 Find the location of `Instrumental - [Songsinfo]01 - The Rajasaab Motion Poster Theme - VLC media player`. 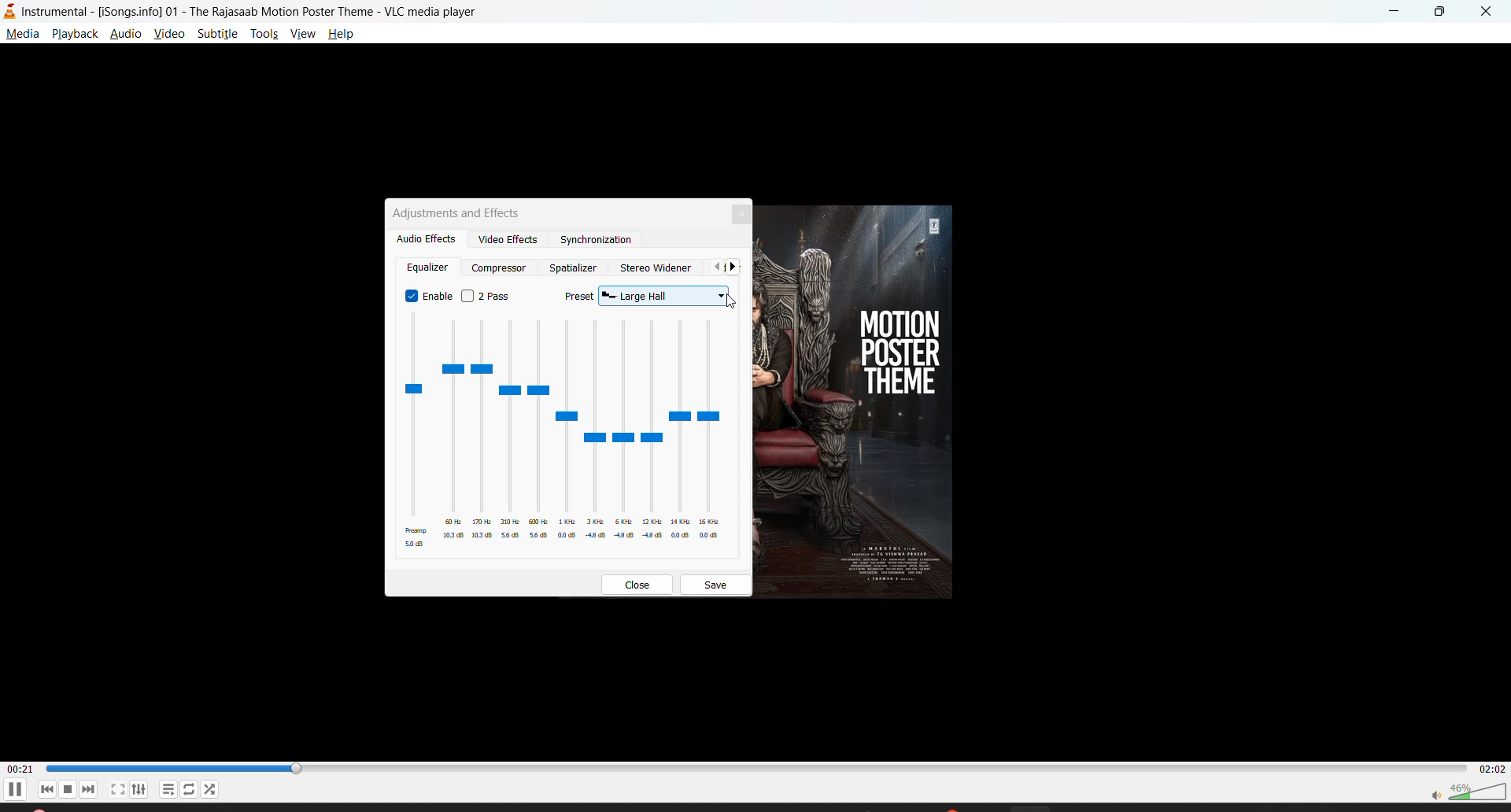

Instrumental - [Songsinfo]01 - The Rajasaab Motion Poster Theme - VLC media player is located at coordinates (245, 11).